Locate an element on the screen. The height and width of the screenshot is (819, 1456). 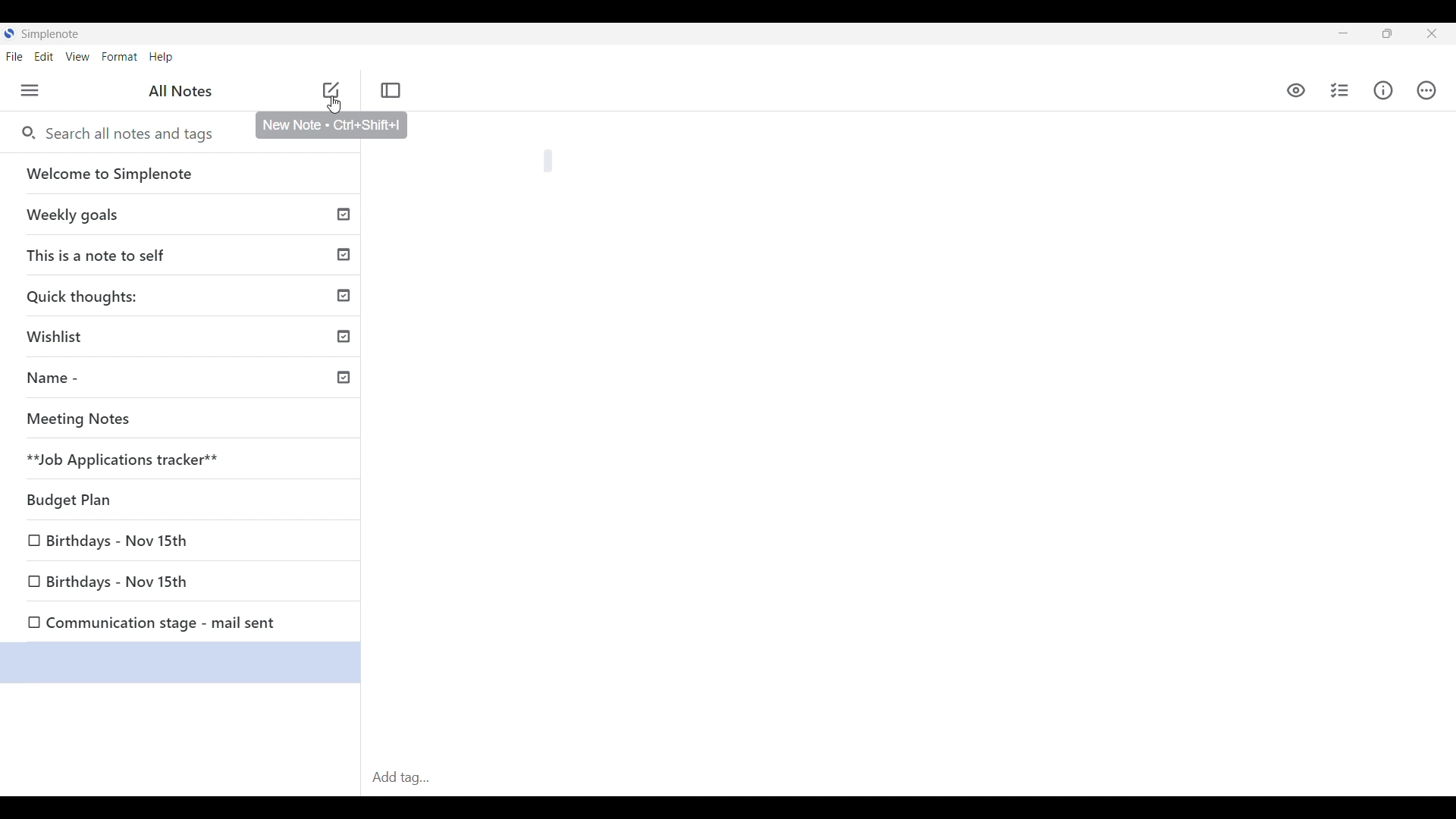
Budget Plan is located at coordinates (185, 500).